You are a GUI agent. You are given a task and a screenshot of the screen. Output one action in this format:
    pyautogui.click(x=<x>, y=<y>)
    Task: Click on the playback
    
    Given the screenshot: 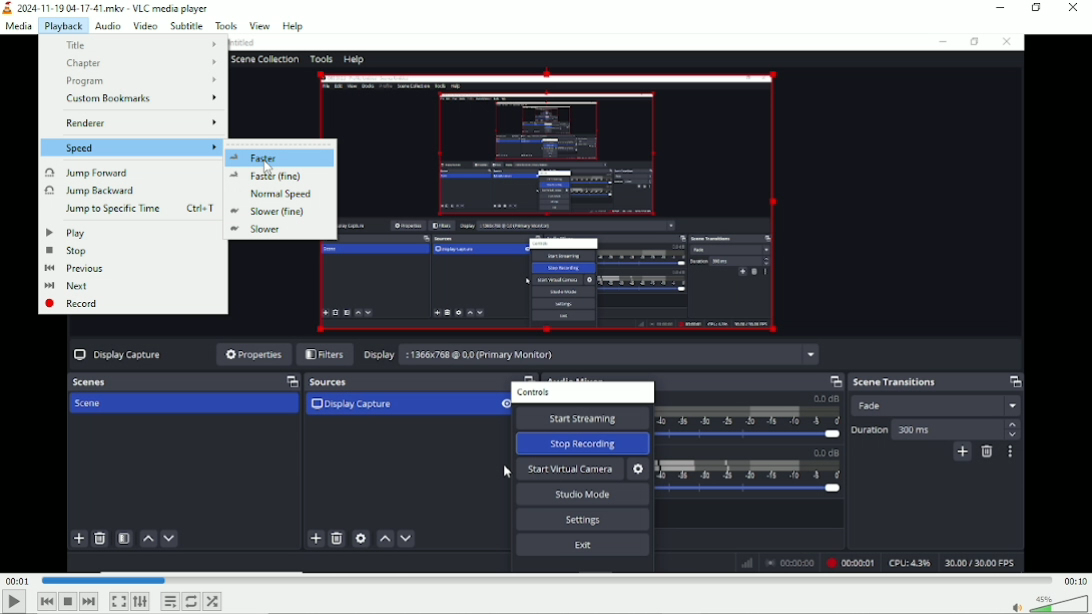 What is the action you would take?
    pyautogui.click(x=63, y=25)
    